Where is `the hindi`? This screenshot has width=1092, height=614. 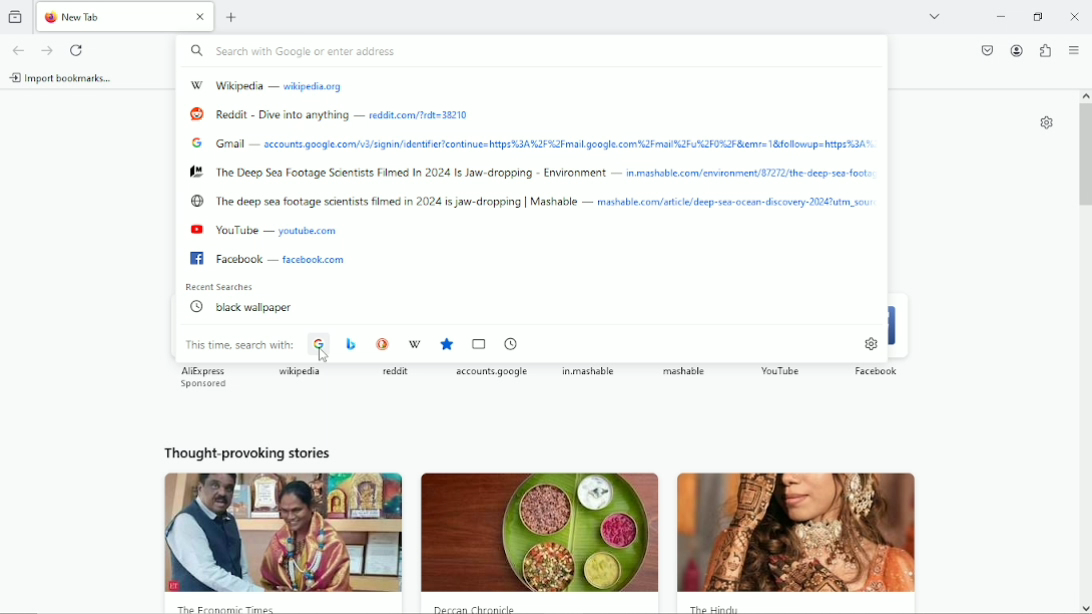
the hindi is located at coordinates (716, 610).